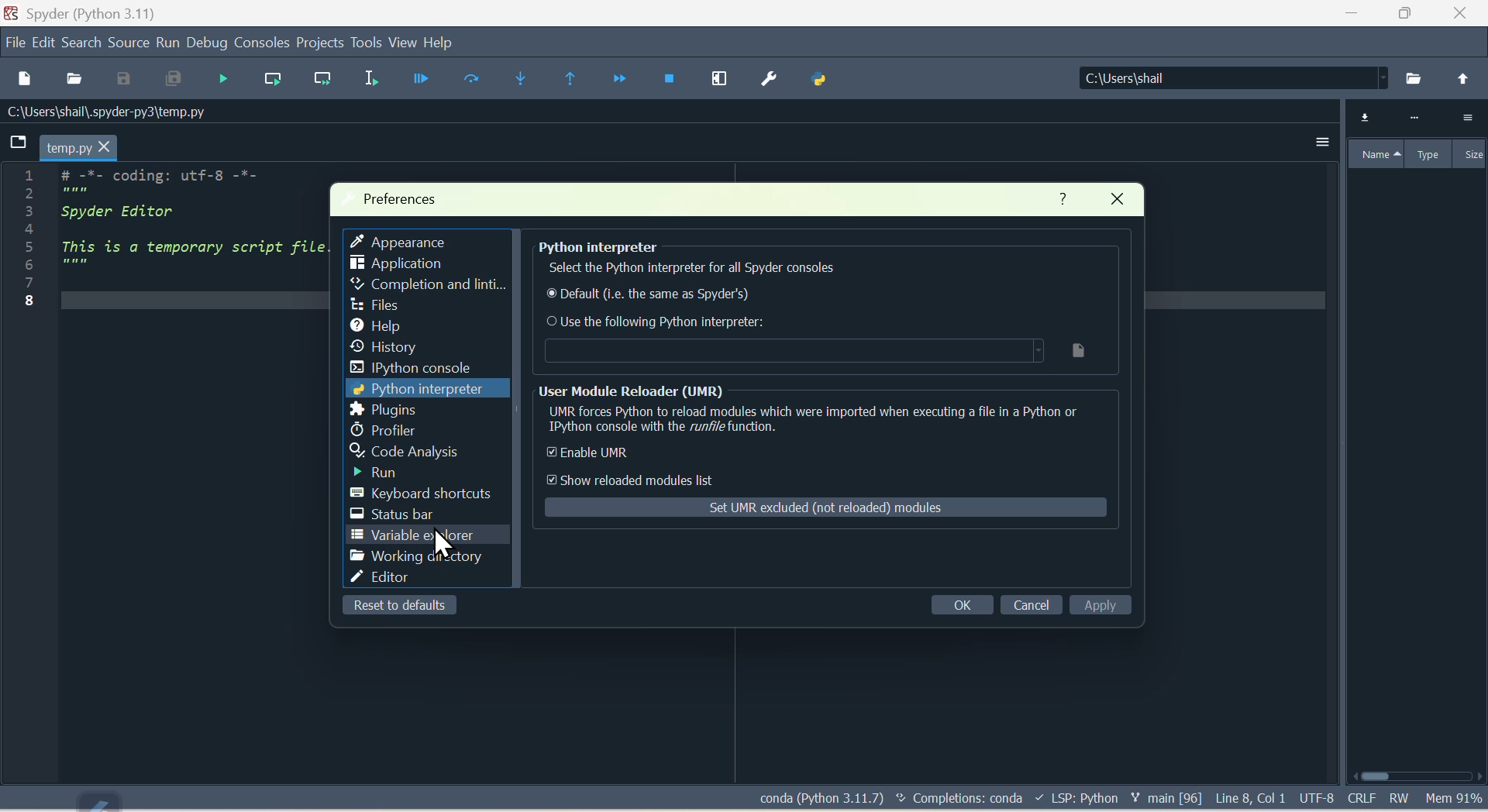 The height and width of the screenshot is (812, 1488). I want to click on Projects, so click(320, 42).